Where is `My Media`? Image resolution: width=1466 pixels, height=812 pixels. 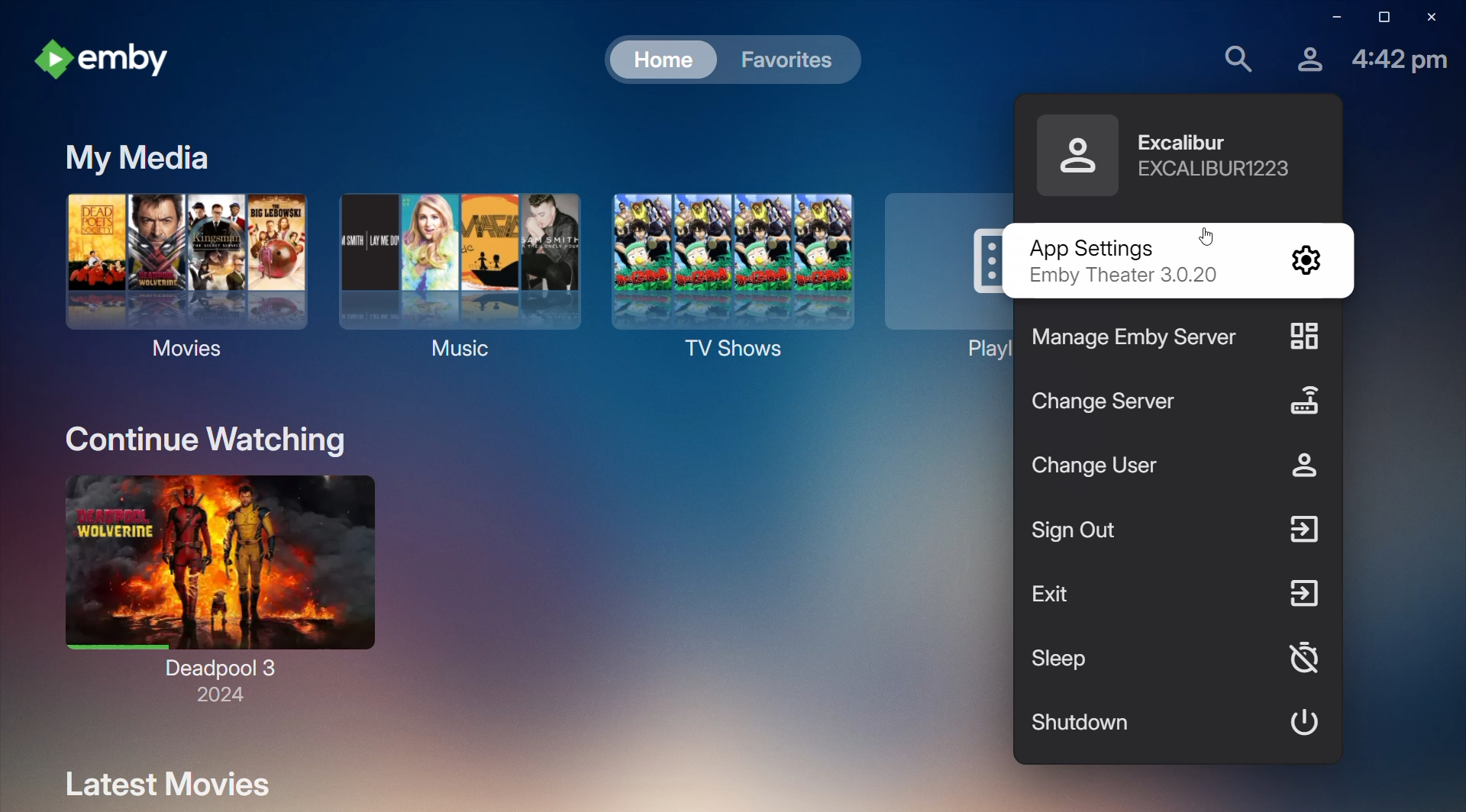 My Media is located at coordinates (133, 159).